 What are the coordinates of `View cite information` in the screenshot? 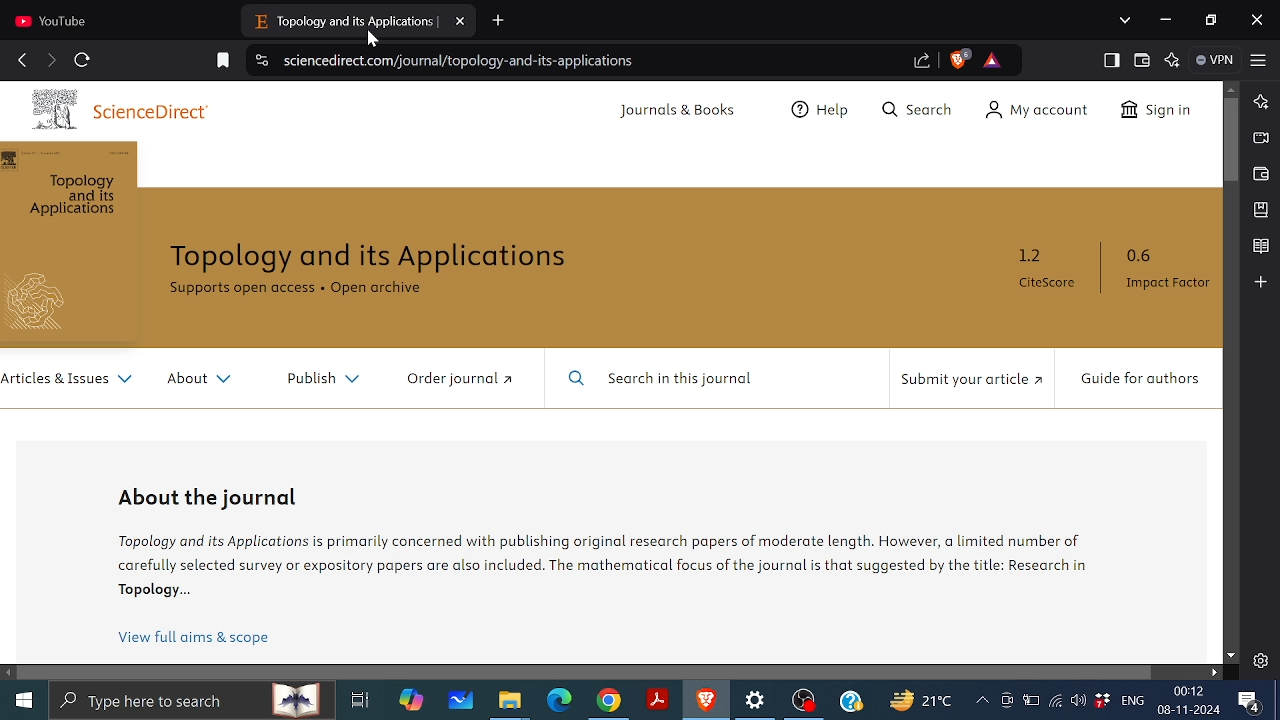 It's located at (263, 62).